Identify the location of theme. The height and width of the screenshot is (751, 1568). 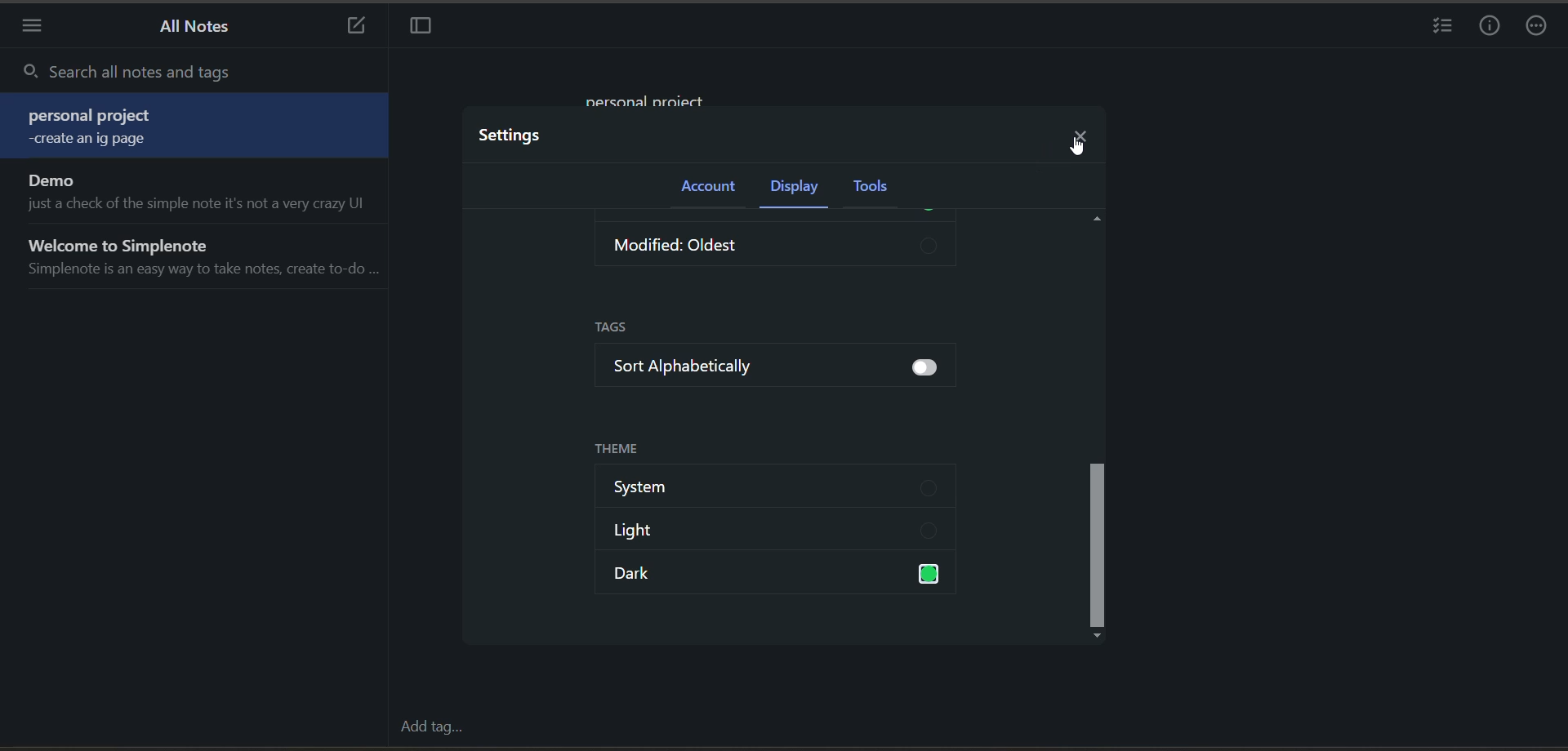
(616, 447).